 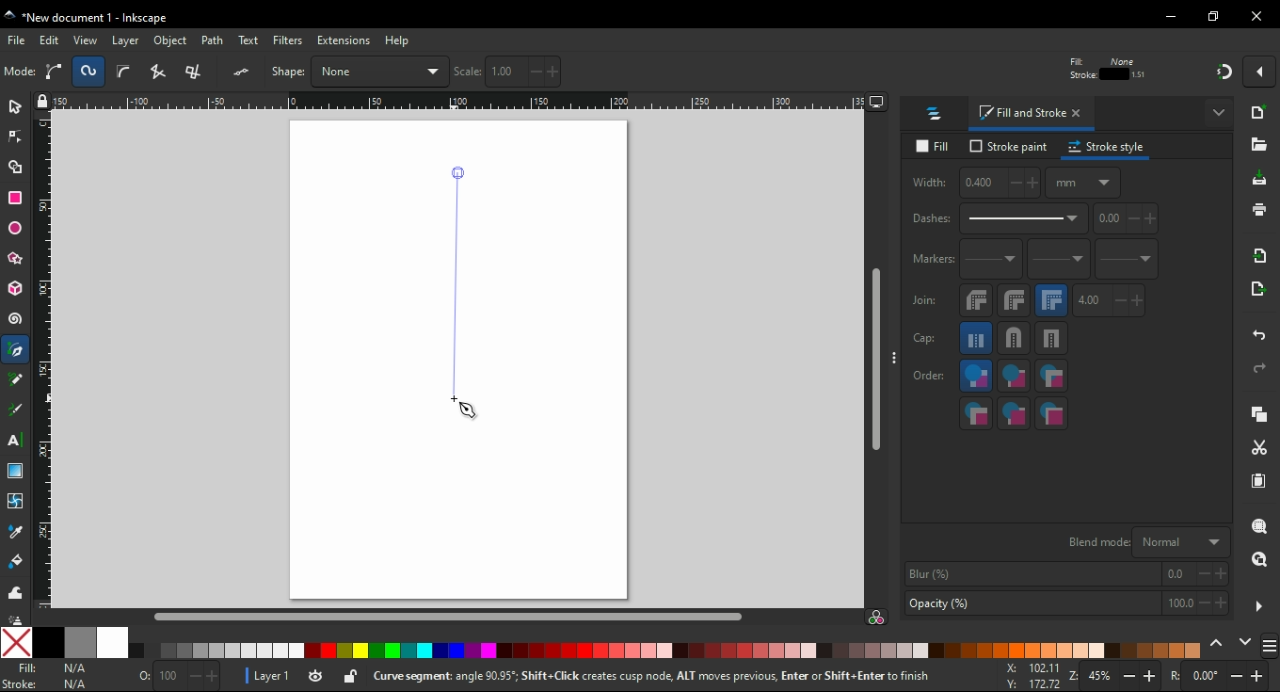 What do you see at coordinates (16, 135) in the screenshot?
I see `node tool` at bounding box center [16, 135].